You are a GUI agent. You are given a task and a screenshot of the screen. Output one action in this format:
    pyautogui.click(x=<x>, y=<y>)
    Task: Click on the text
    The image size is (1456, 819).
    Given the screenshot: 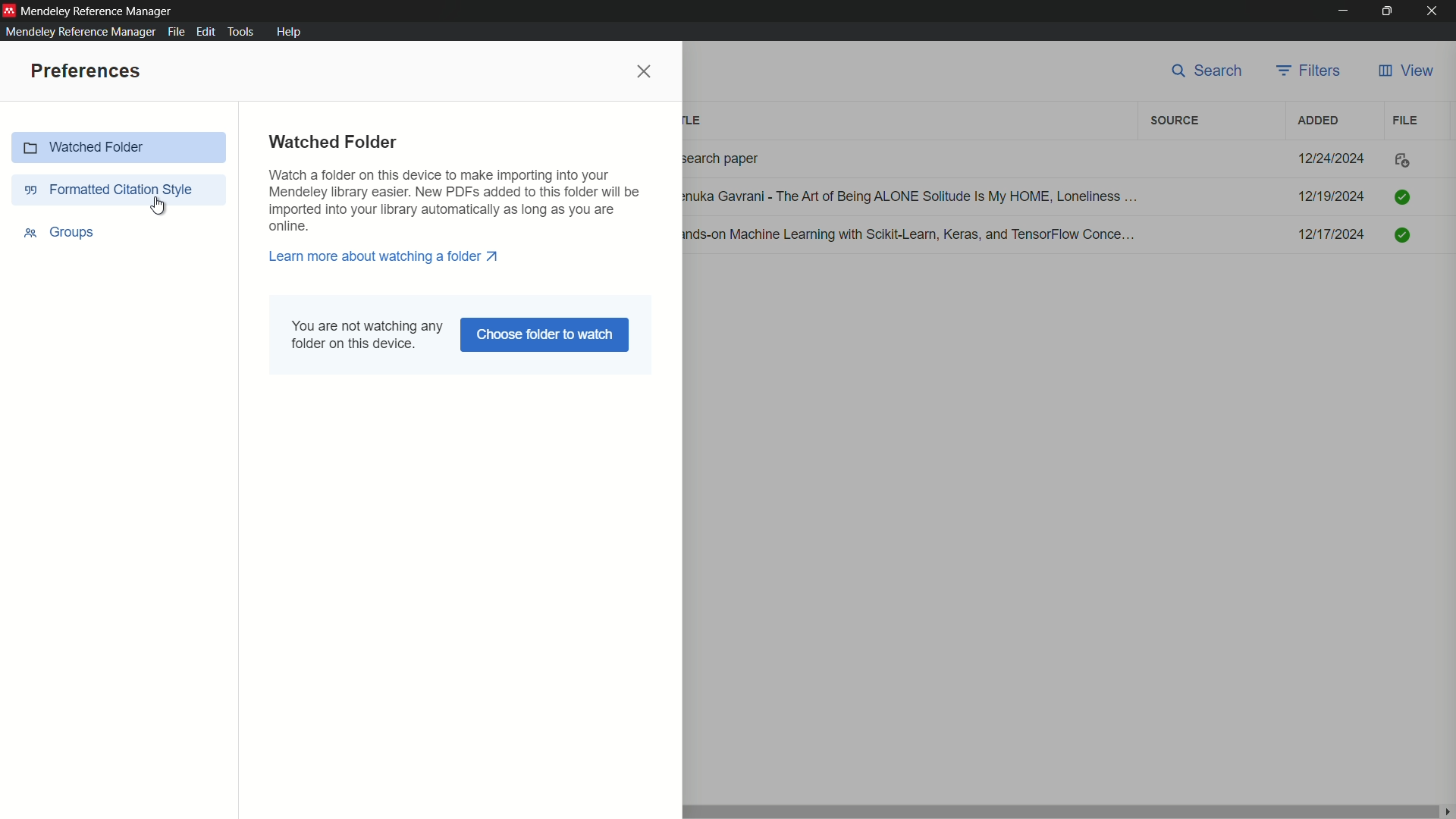 What is the action you would take?
    pyautogui.click(x=368, y=334)
    